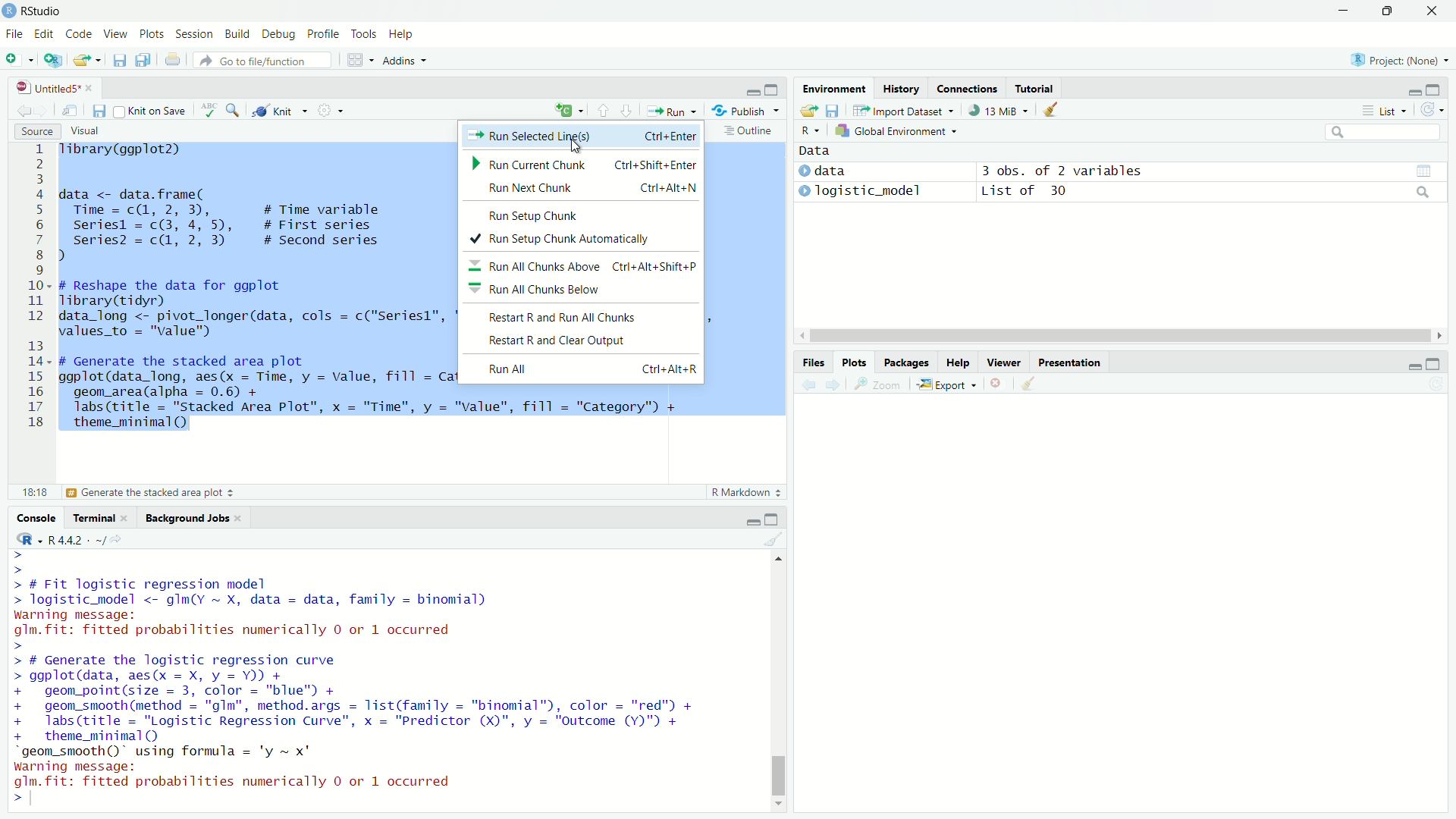  Describe the element at coordinates (1425, 170) in the screenshot. I see `view` at that location.